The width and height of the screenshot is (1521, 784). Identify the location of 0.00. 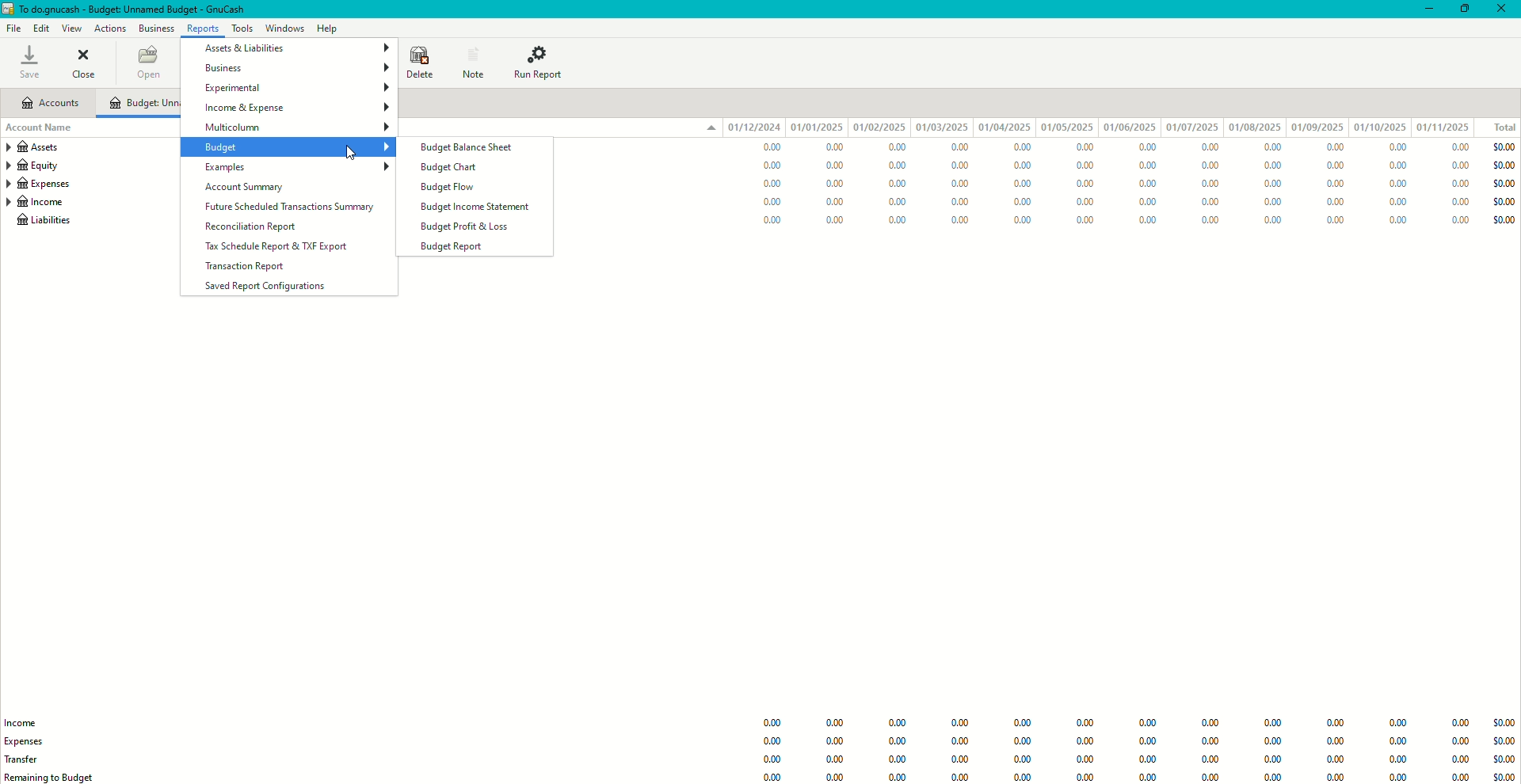
(1397, 776).